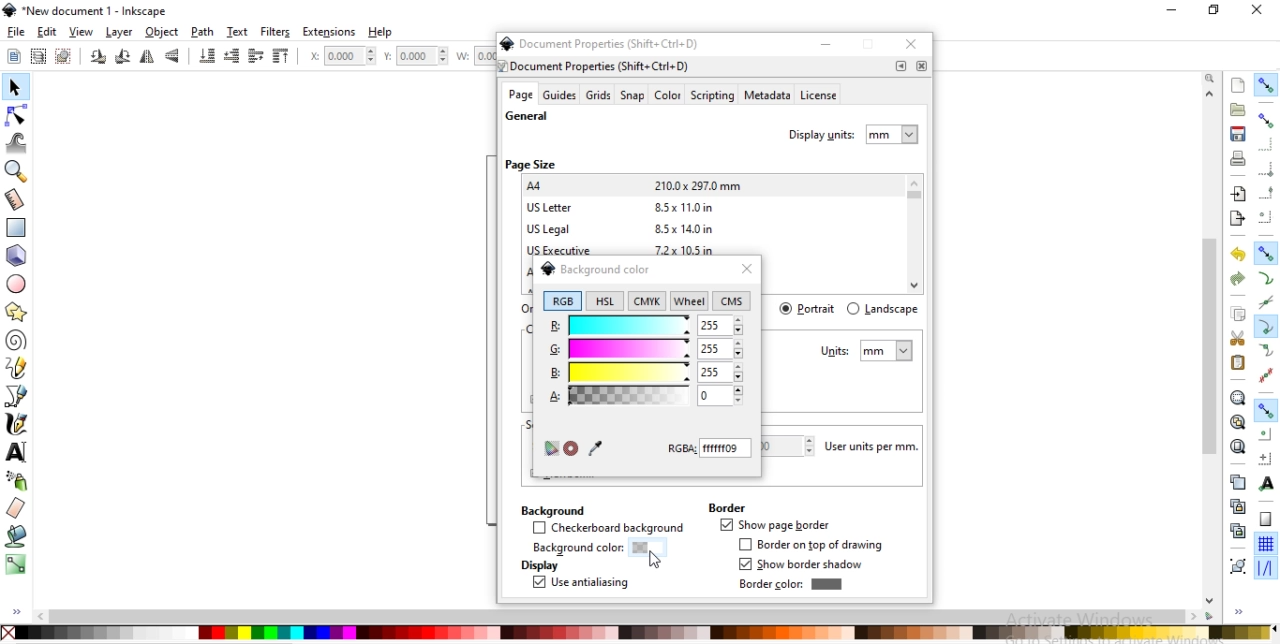 The image size is (1280, 644). What do you see at coordinates (826, 44) in the screenshot?
I see `minimize` at bounding box center [826, 44].